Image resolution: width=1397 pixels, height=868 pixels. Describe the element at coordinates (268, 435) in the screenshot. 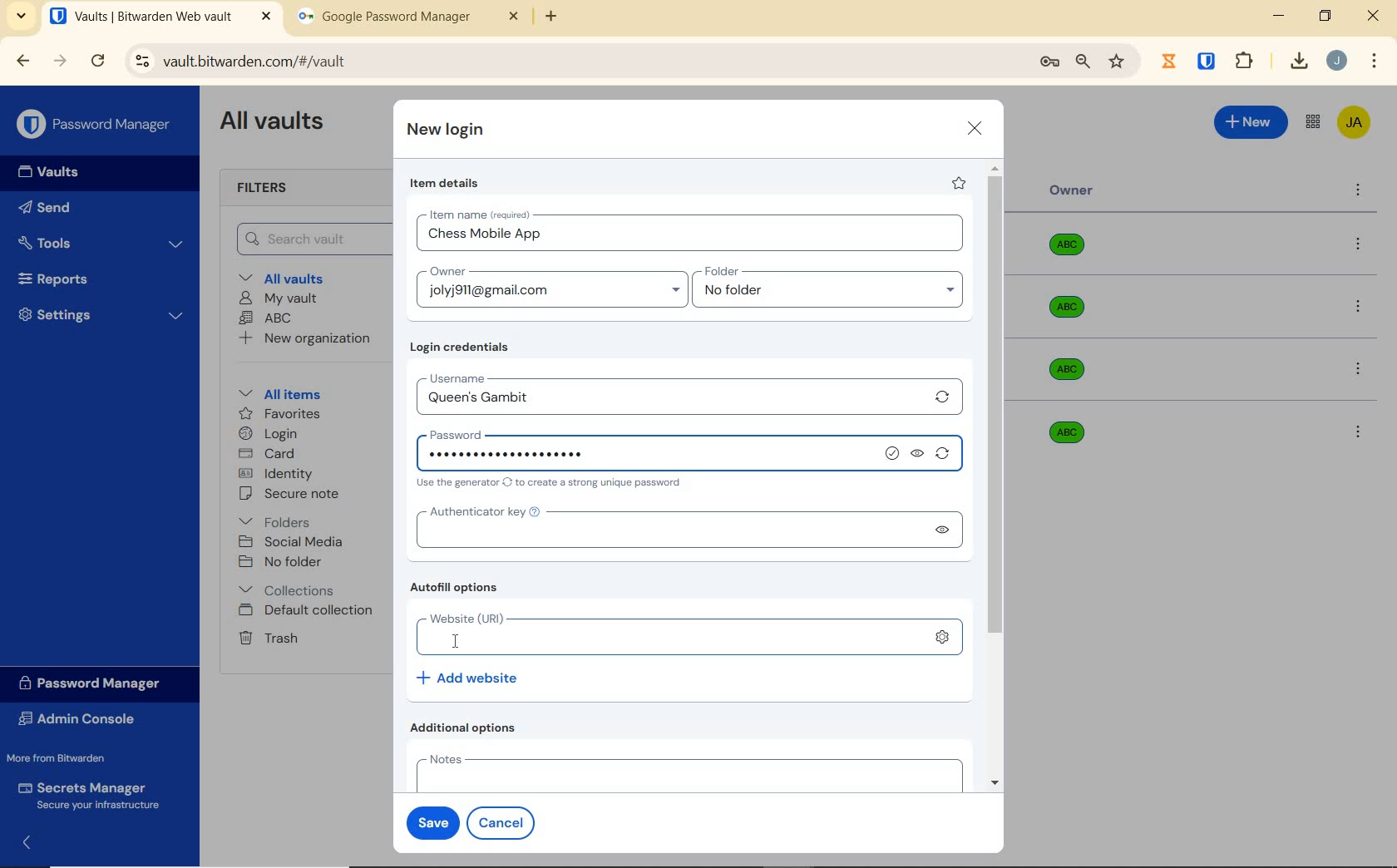

I see `login` at that location.